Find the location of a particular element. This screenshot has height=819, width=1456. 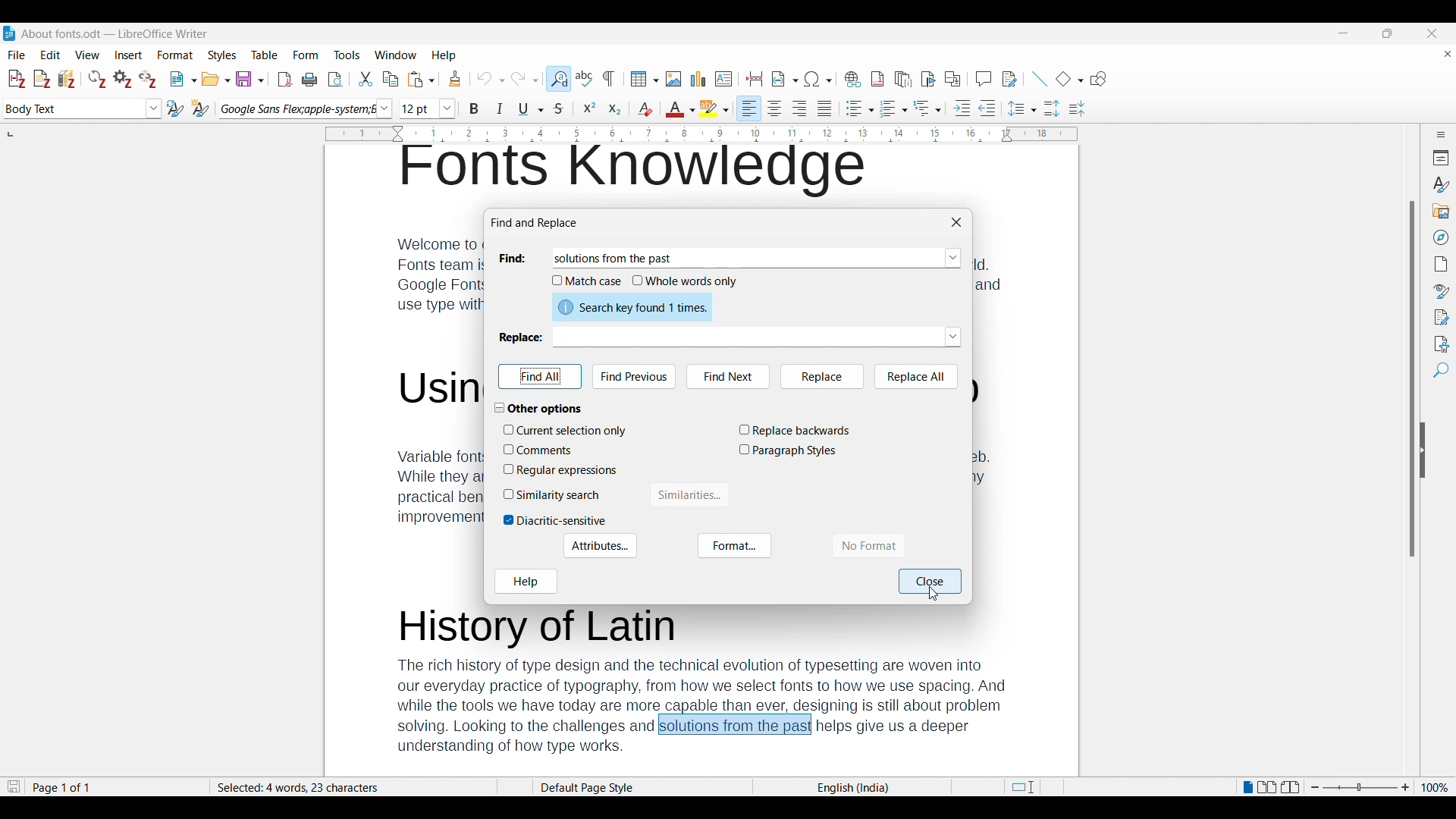

Page is located at coordinates (1440, 264).